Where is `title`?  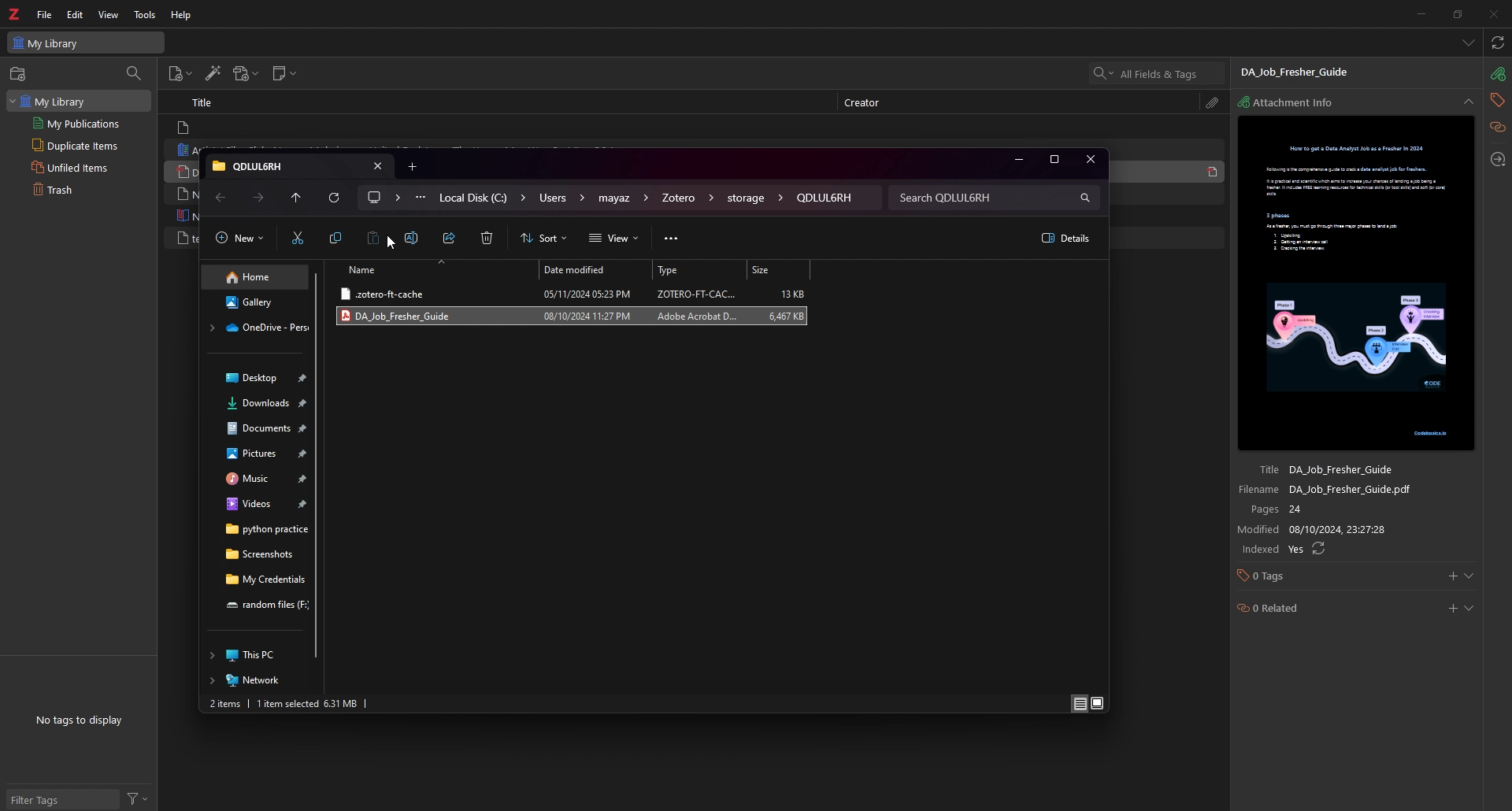 title is located at coordinates (205, 102).